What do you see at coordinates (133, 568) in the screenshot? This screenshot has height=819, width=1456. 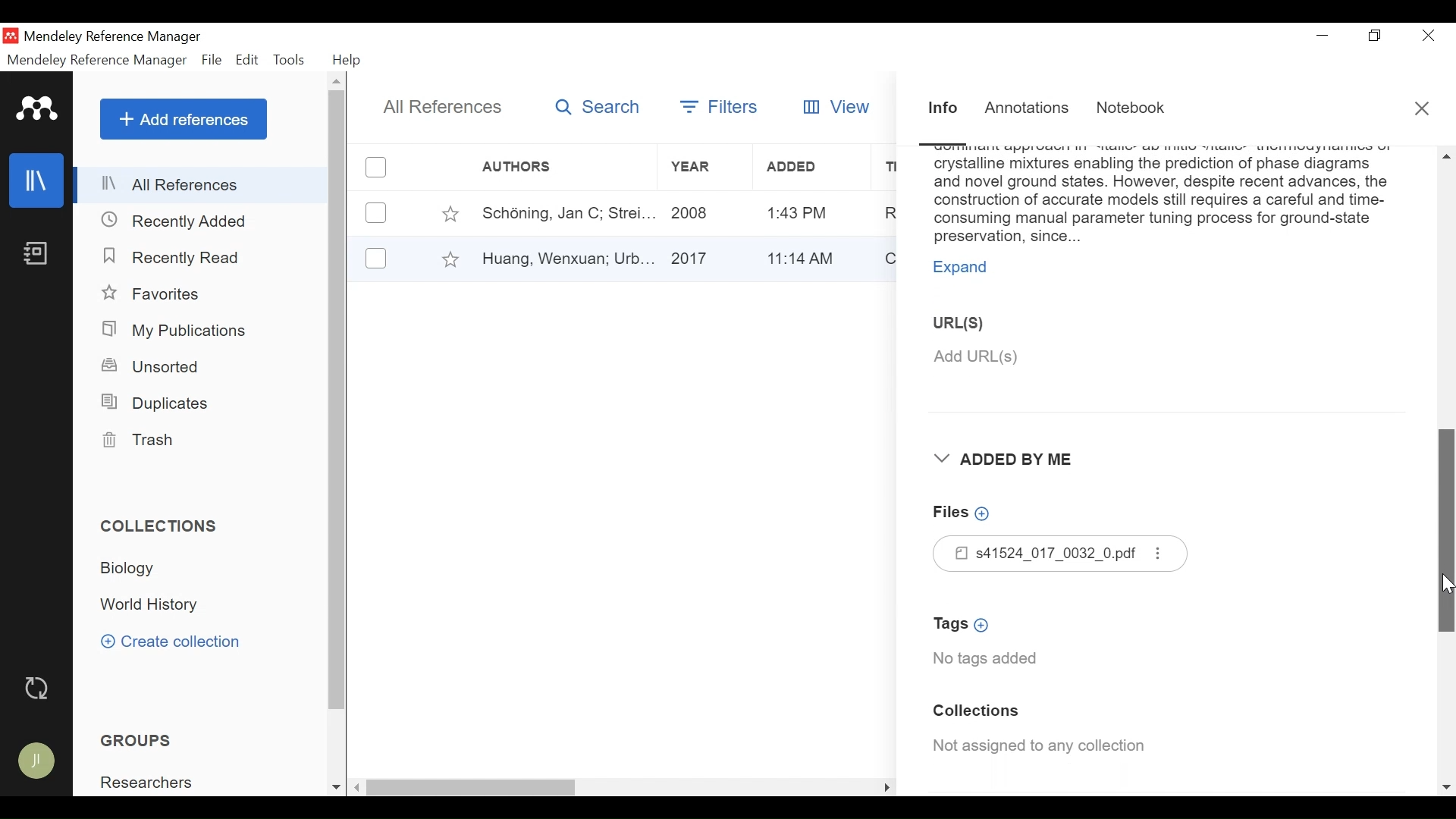 I see `Collection` at bounding box center [133, 568].